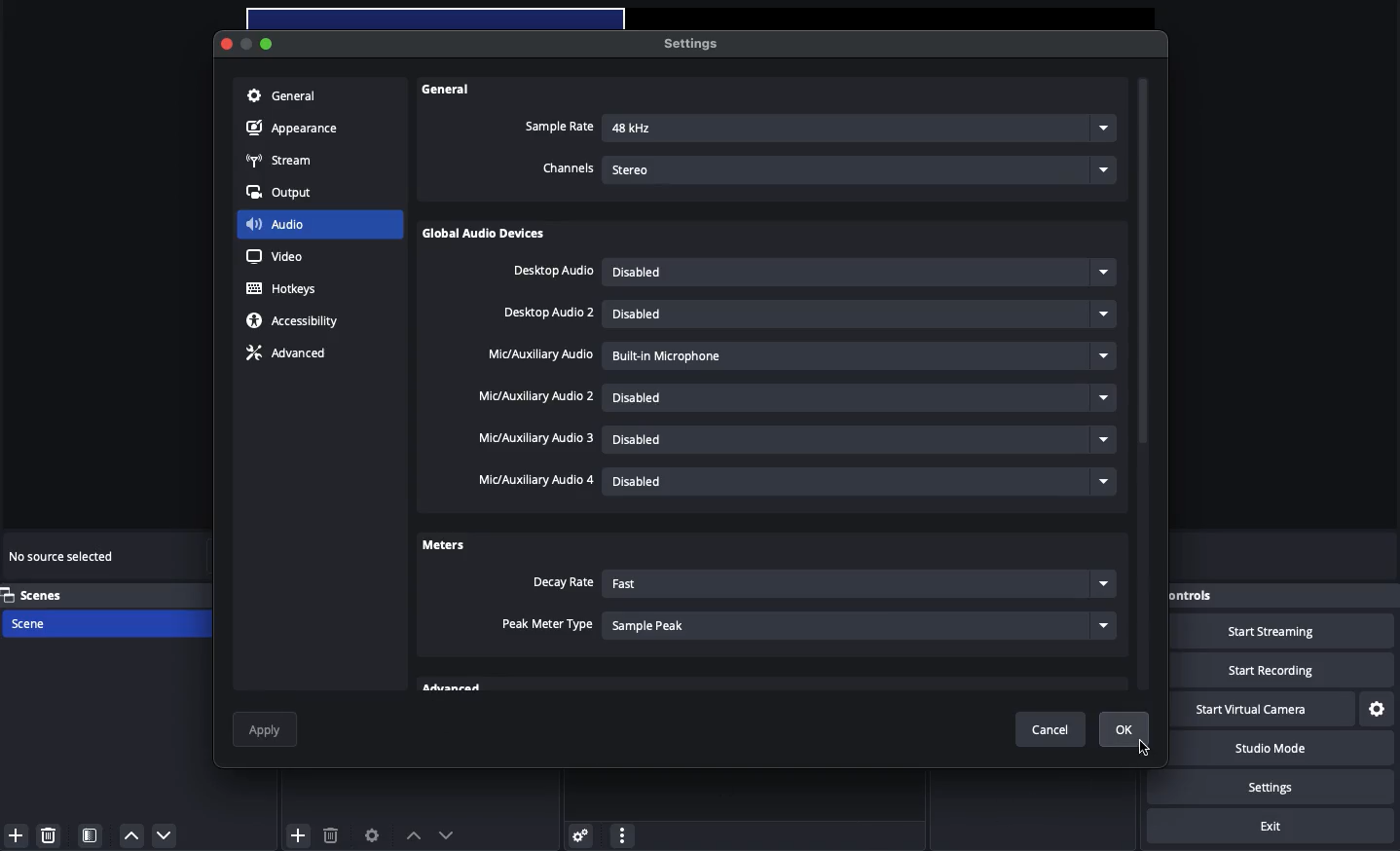 Image resolution: width=1400 pixels, height=851 pixels. What do you see at coordinates (281, 97) in the screenshot?
I see `General` at bounding box center [281, 97].